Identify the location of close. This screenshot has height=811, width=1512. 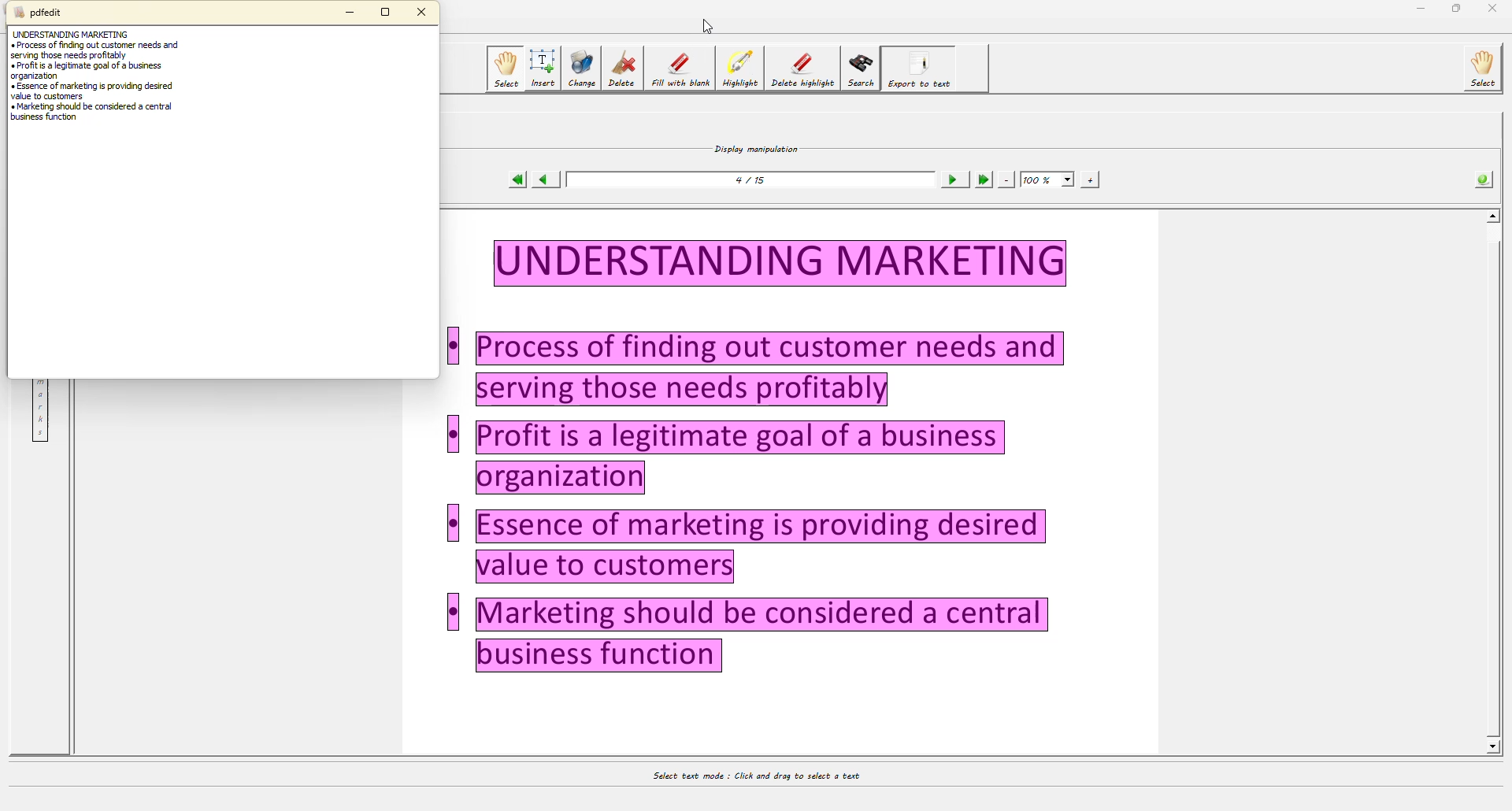
(1495, 10).